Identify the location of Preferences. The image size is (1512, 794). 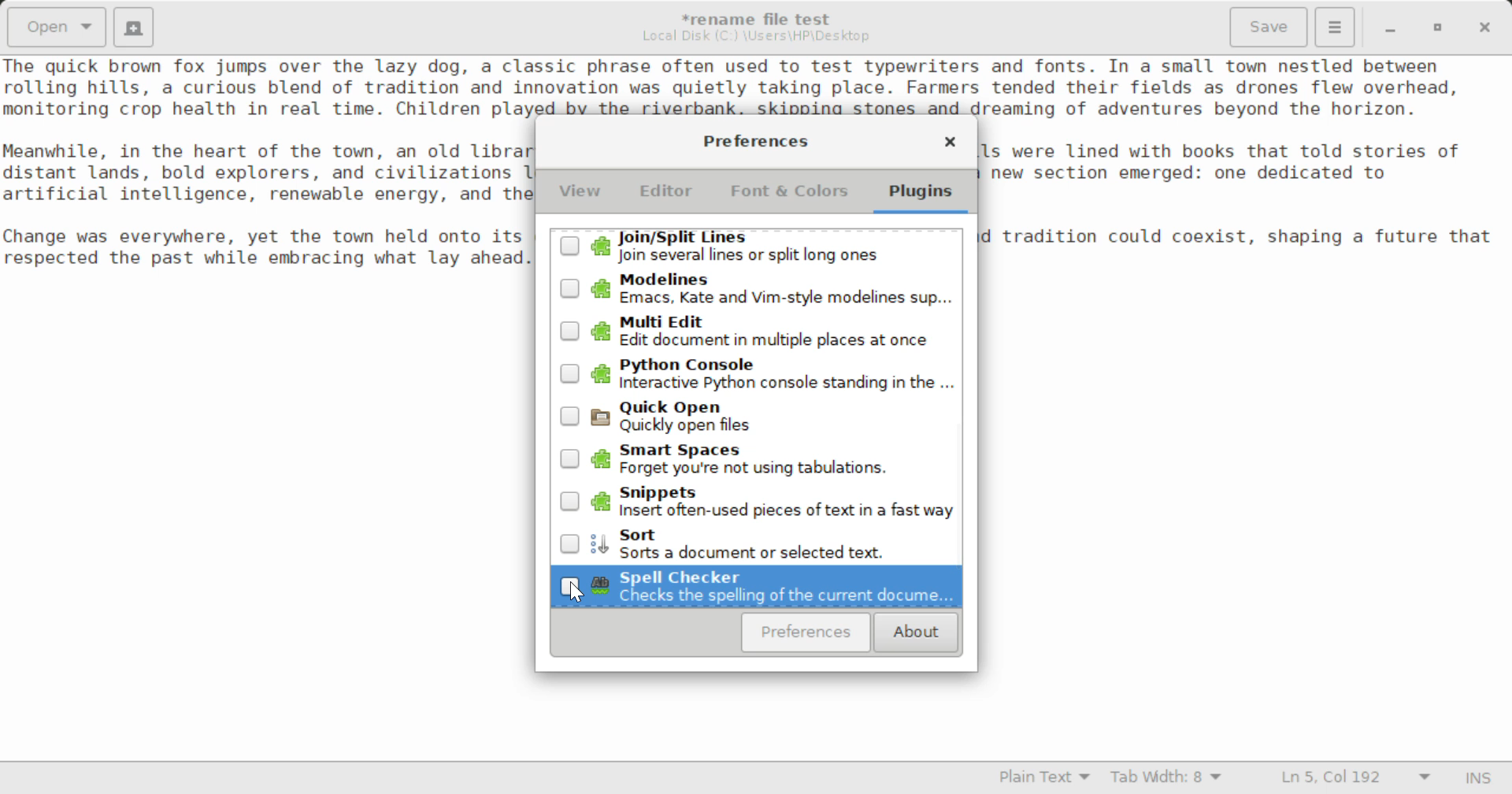
(806, 633).